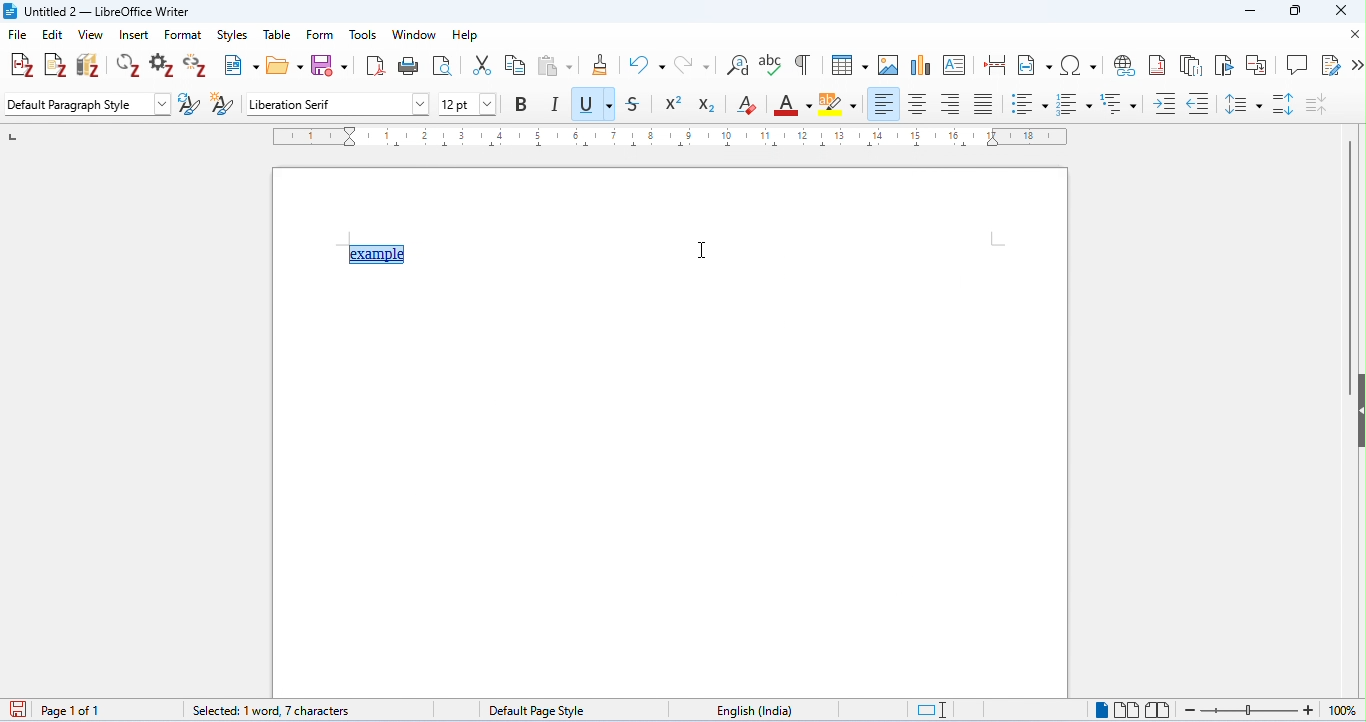 This screenshot has width=1366, height=722. Describe the element at coordinates (738, 65) in the screenshot. I see `find and replace` at that location.